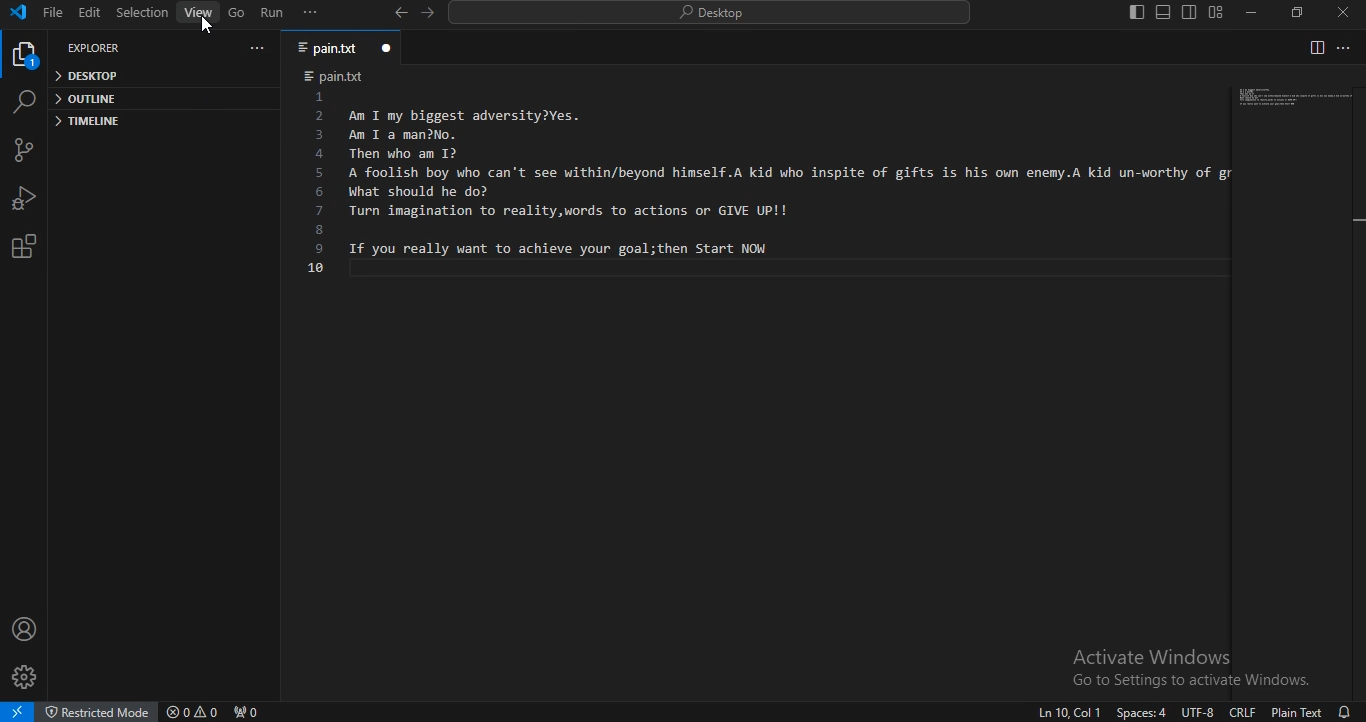 The image size is (1366, 722). I want to click on image, so click(1293, 100).